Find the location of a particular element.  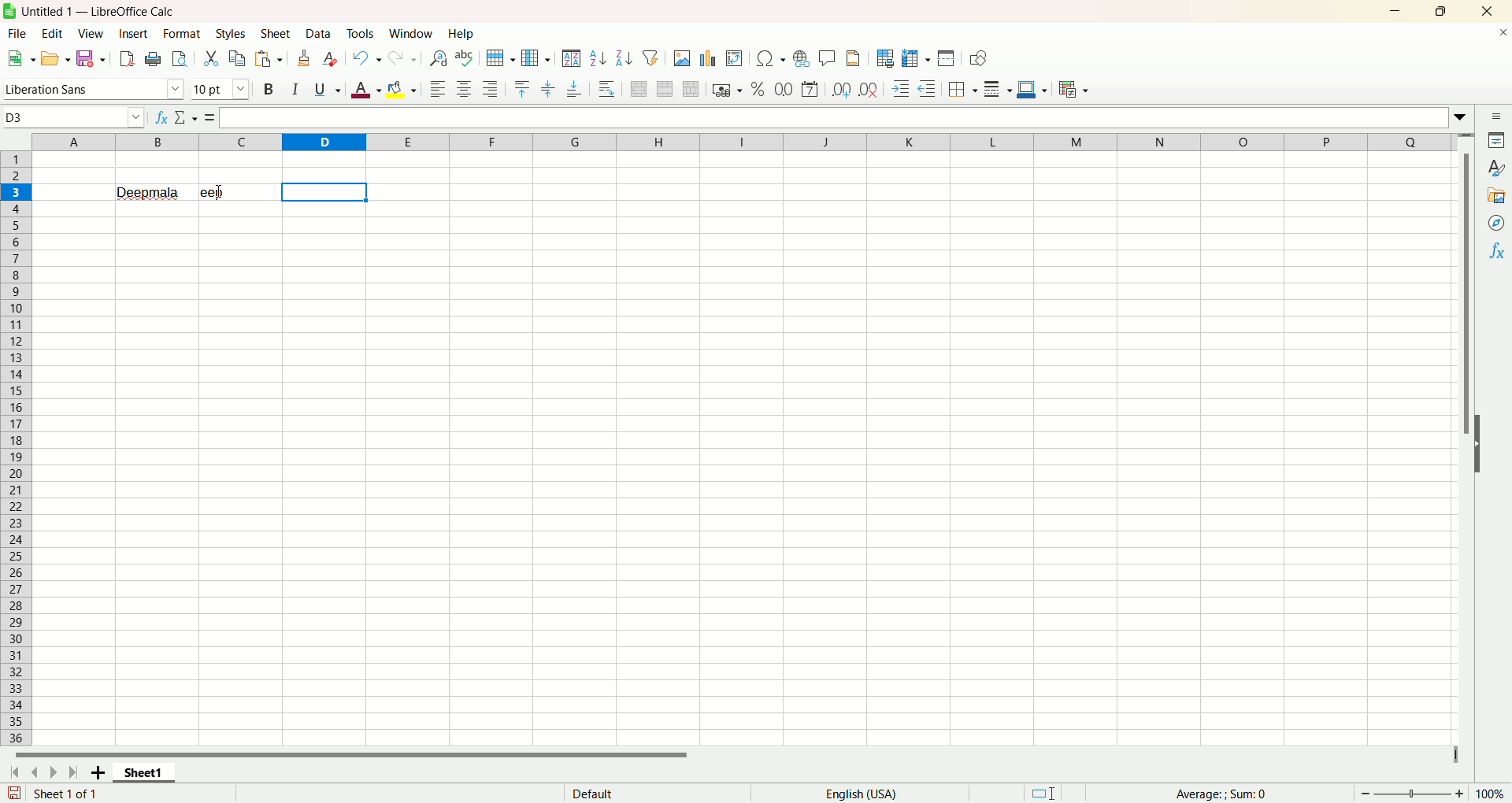

Font size is located at coordinates (224, 87).